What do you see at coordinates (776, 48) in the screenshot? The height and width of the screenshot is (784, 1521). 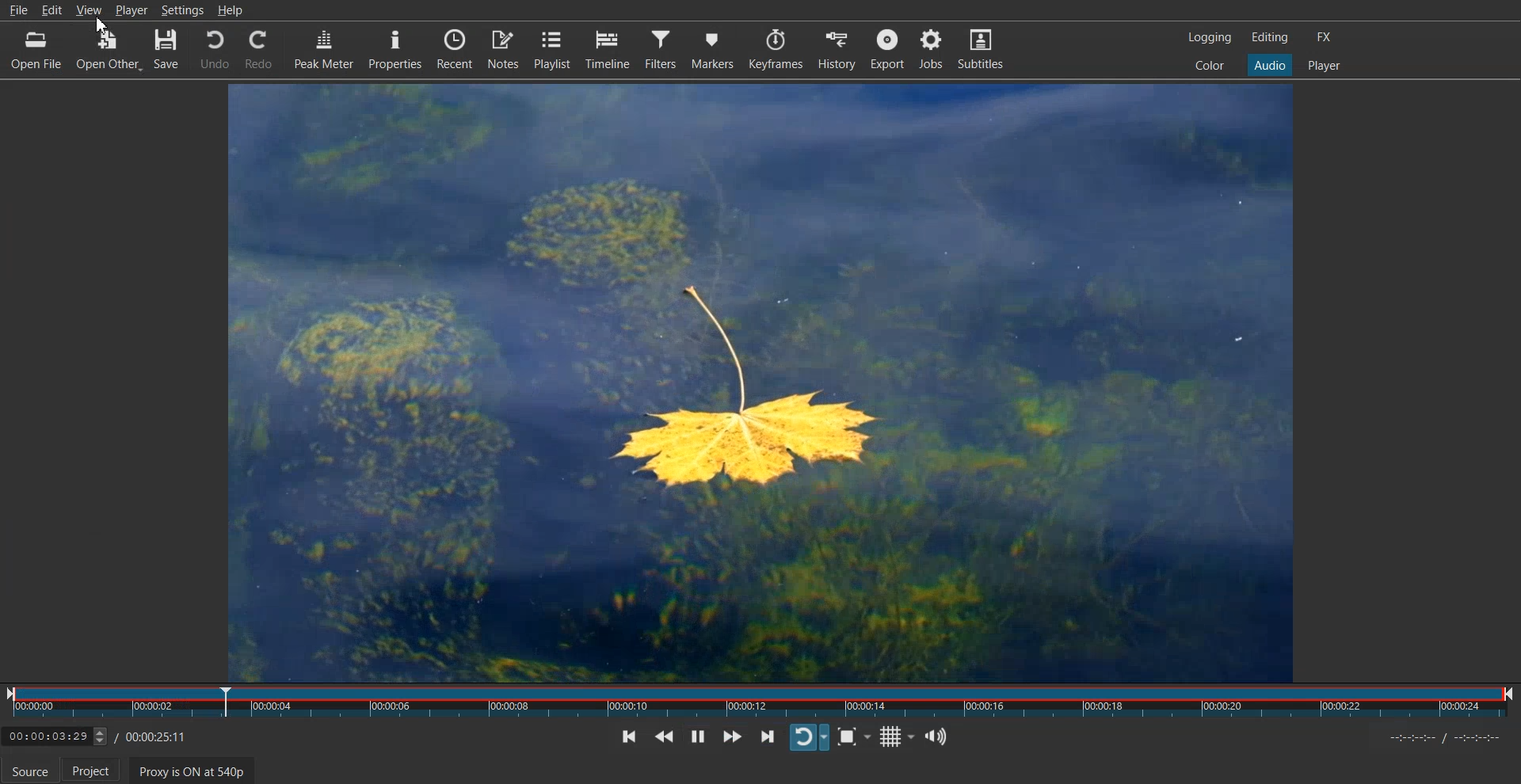 I see `Keyframes` at bounding box center [776, 48].